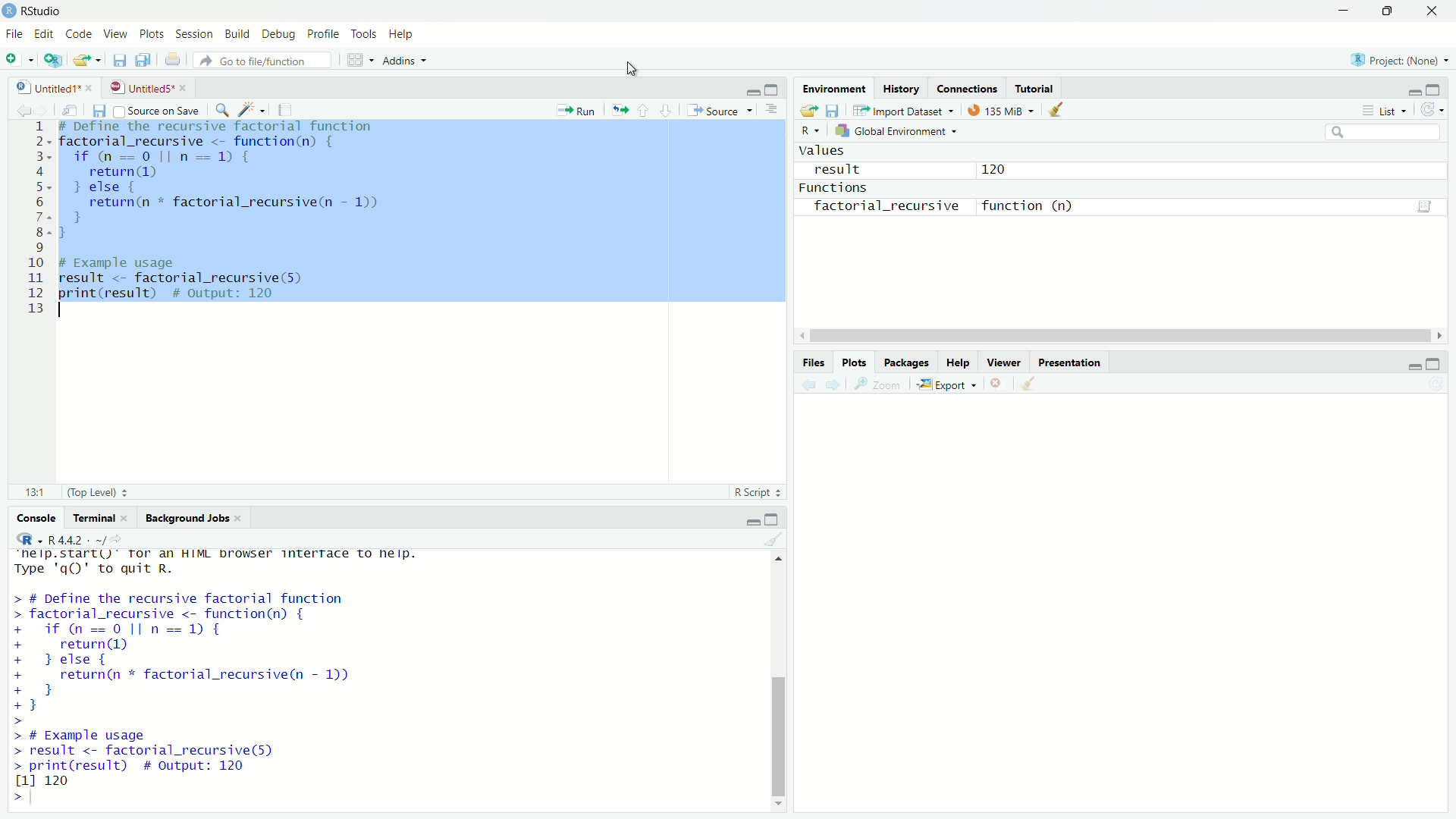  What do you see at coordinates (773, 520) in the screenshot?
I see `Maximize` at bounding box center [773, 520].